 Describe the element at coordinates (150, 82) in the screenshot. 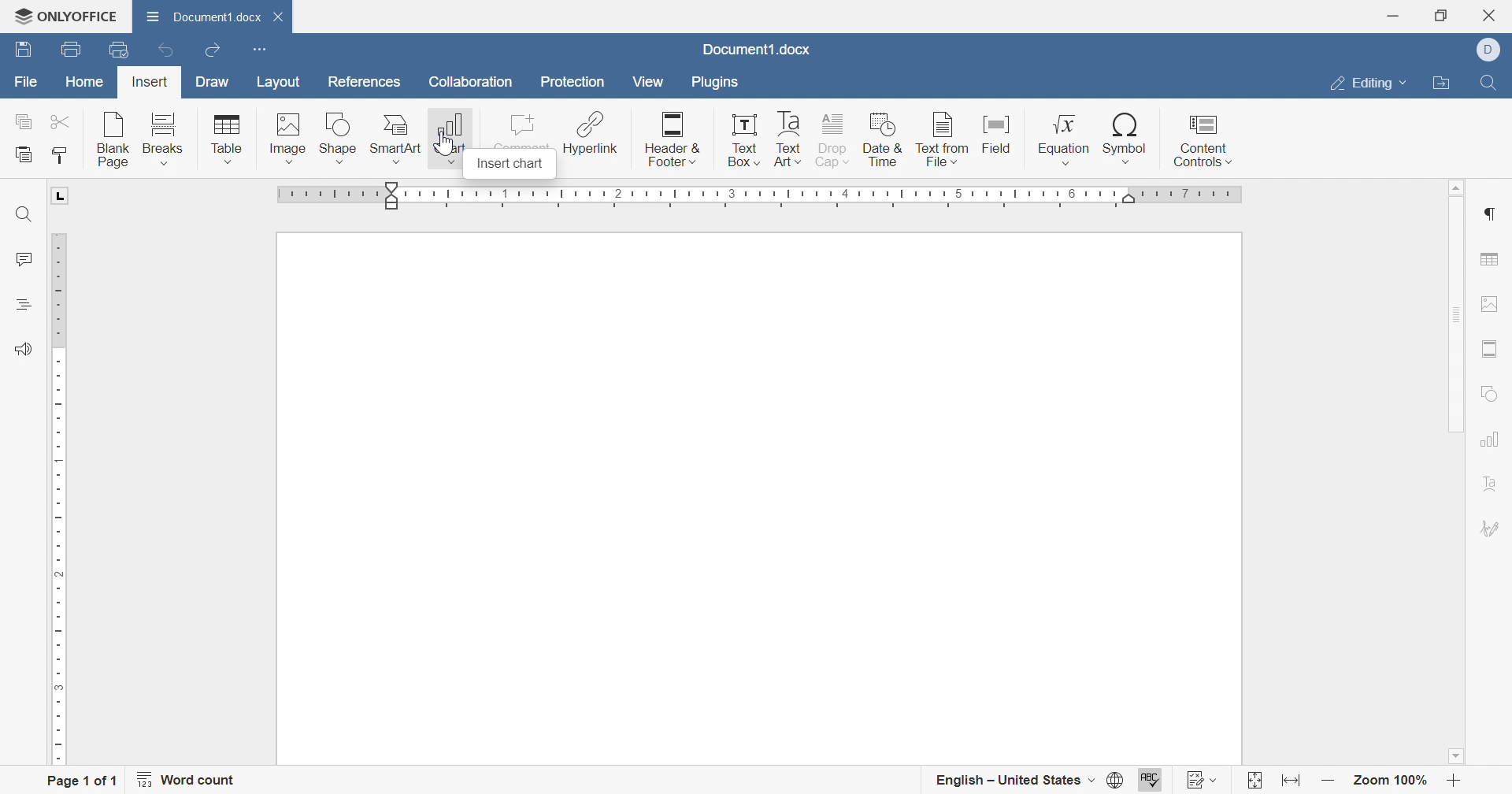

I see `Insert` at that location.